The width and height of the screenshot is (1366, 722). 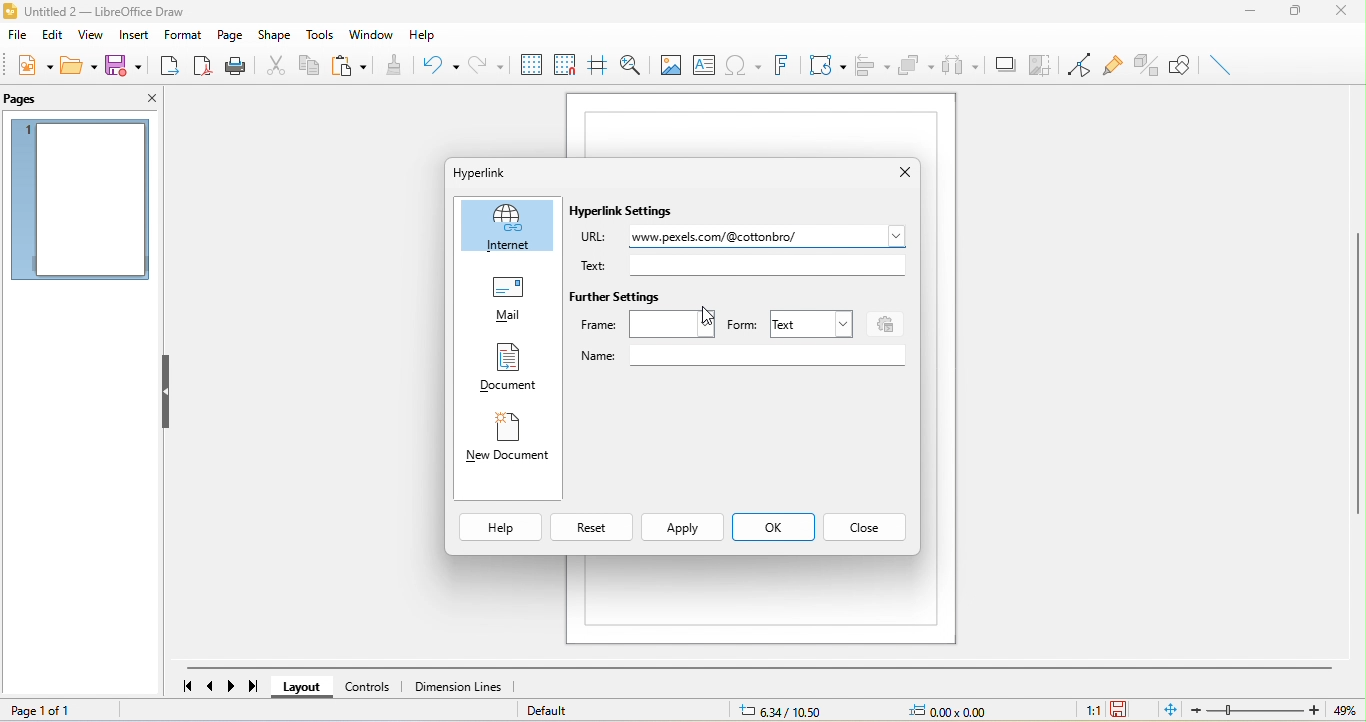 What do you see at coordinates (420, 33) in the screenshot?
I see `help` at bounding box center [420, 33].